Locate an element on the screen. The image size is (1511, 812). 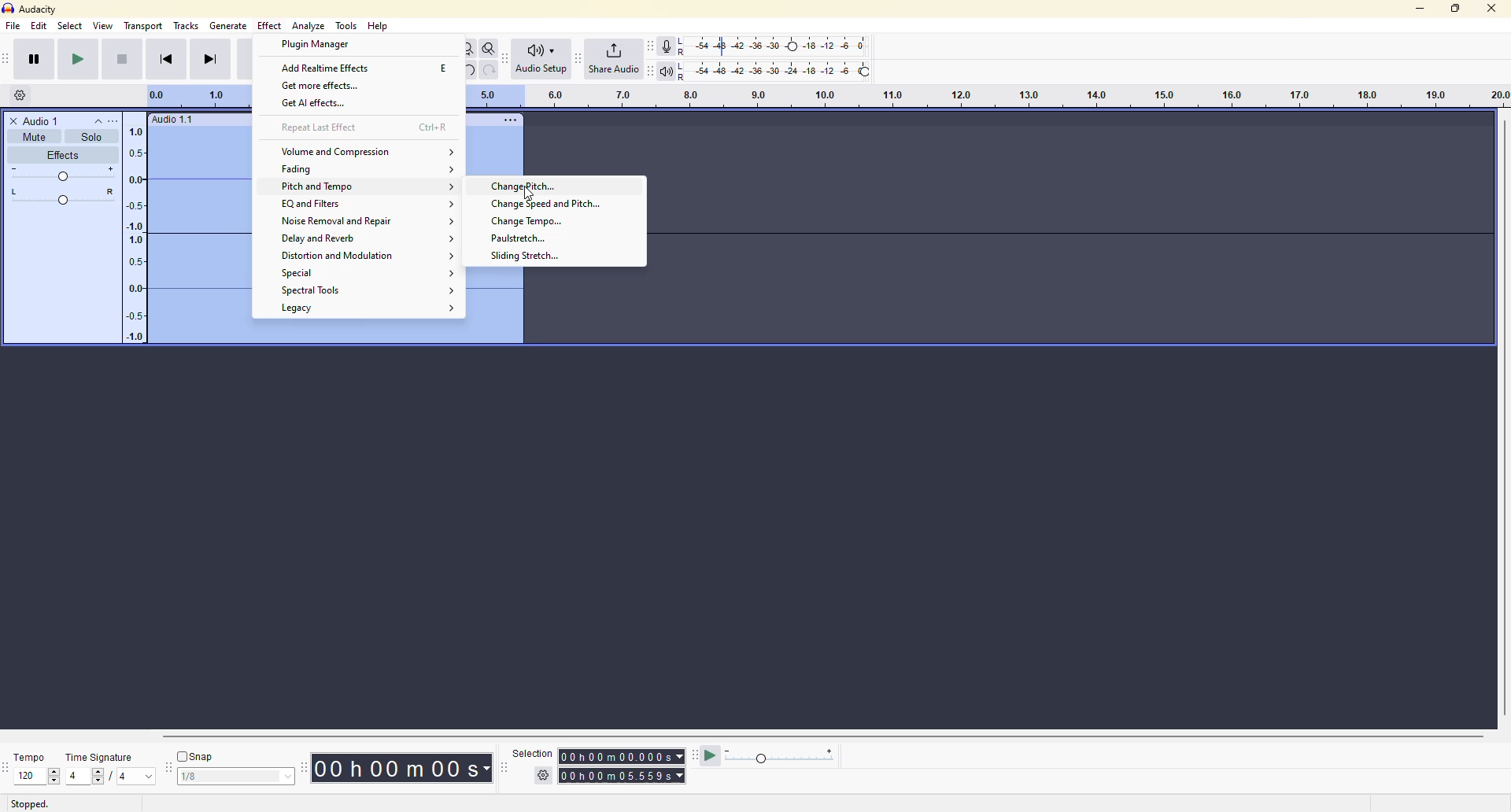
up is located at coordinates (54, 770).